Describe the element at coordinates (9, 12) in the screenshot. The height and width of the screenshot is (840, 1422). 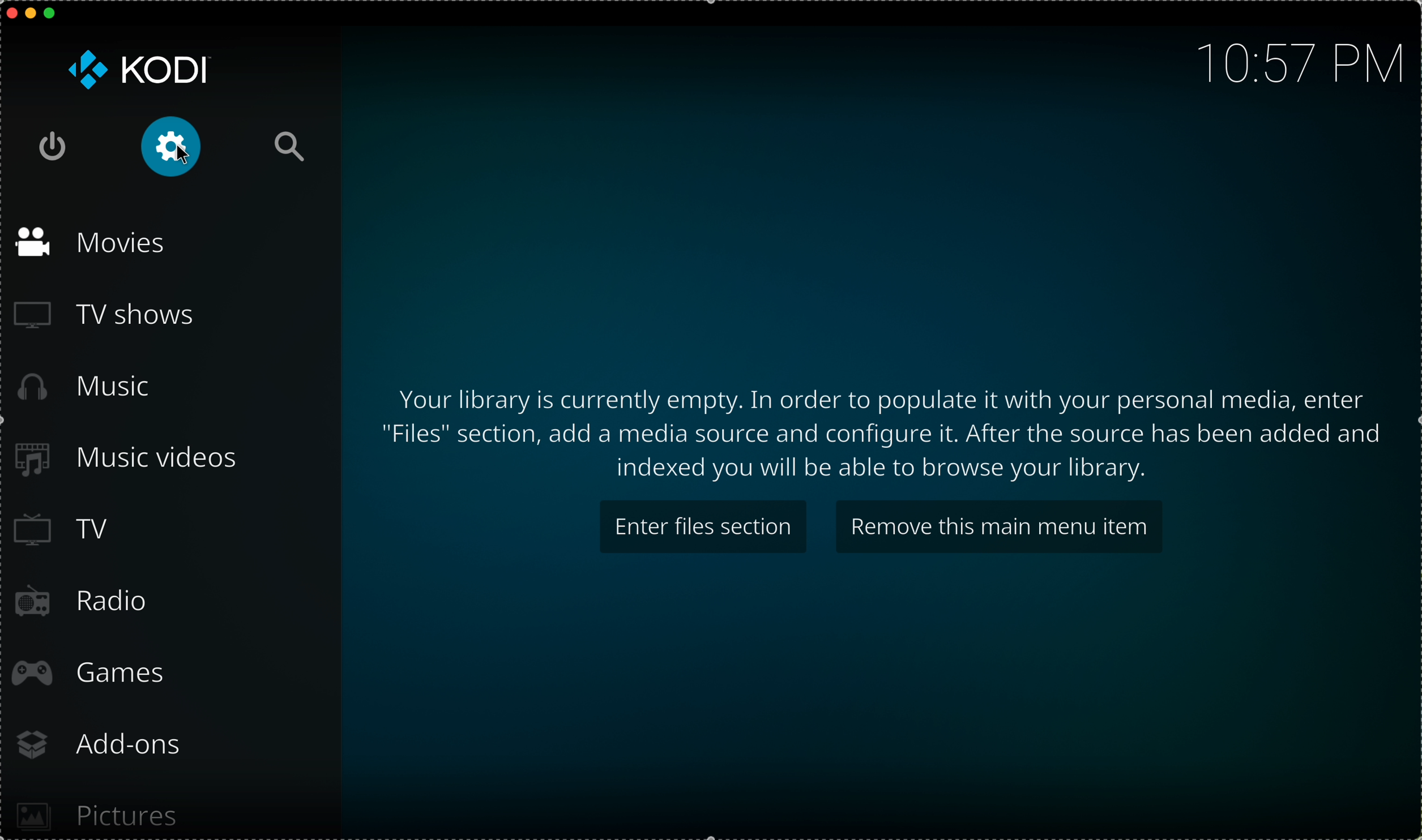
I see `close ` at that location.